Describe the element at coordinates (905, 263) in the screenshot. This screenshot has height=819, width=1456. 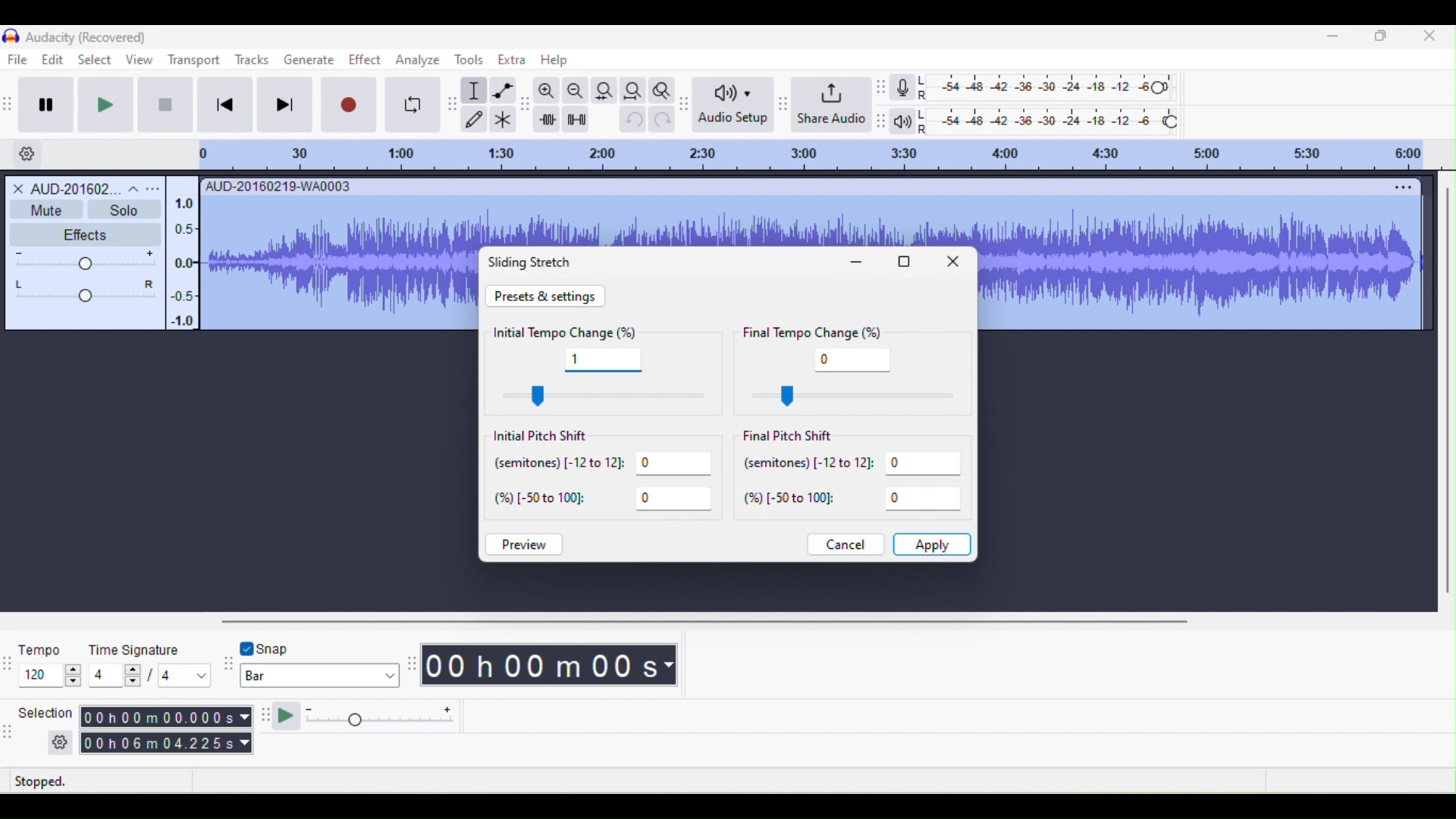
I see `maximize` at that location.